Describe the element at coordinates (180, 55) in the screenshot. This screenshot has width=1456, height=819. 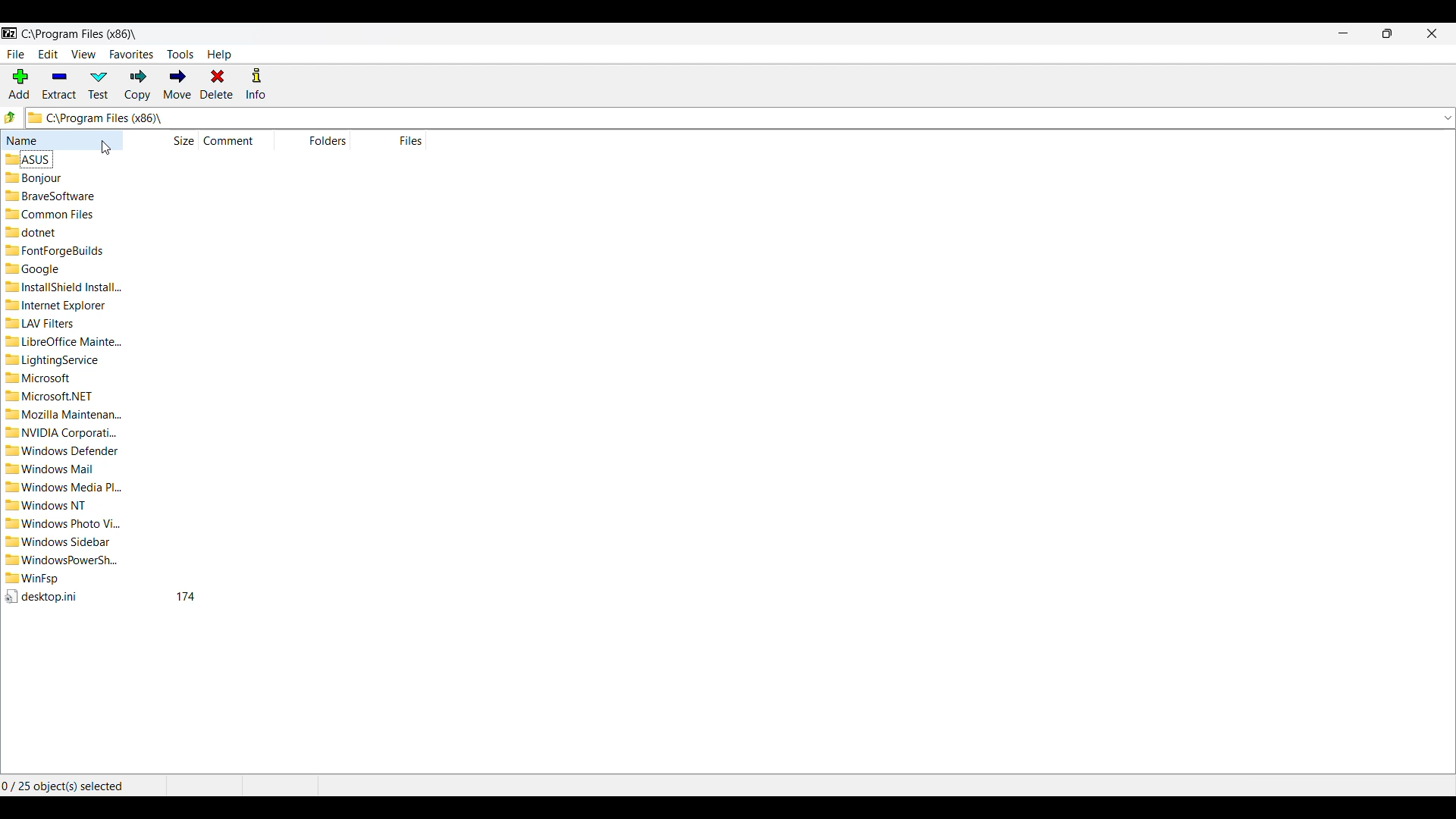
I see `Tools menu` at that location.